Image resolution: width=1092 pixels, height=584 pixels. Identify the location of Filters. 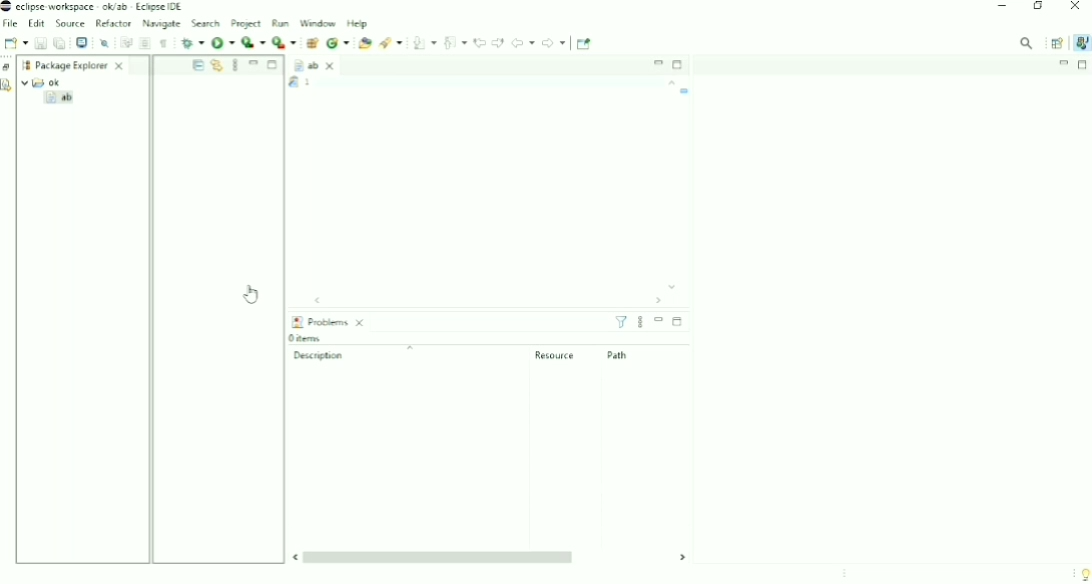
(621, 322).